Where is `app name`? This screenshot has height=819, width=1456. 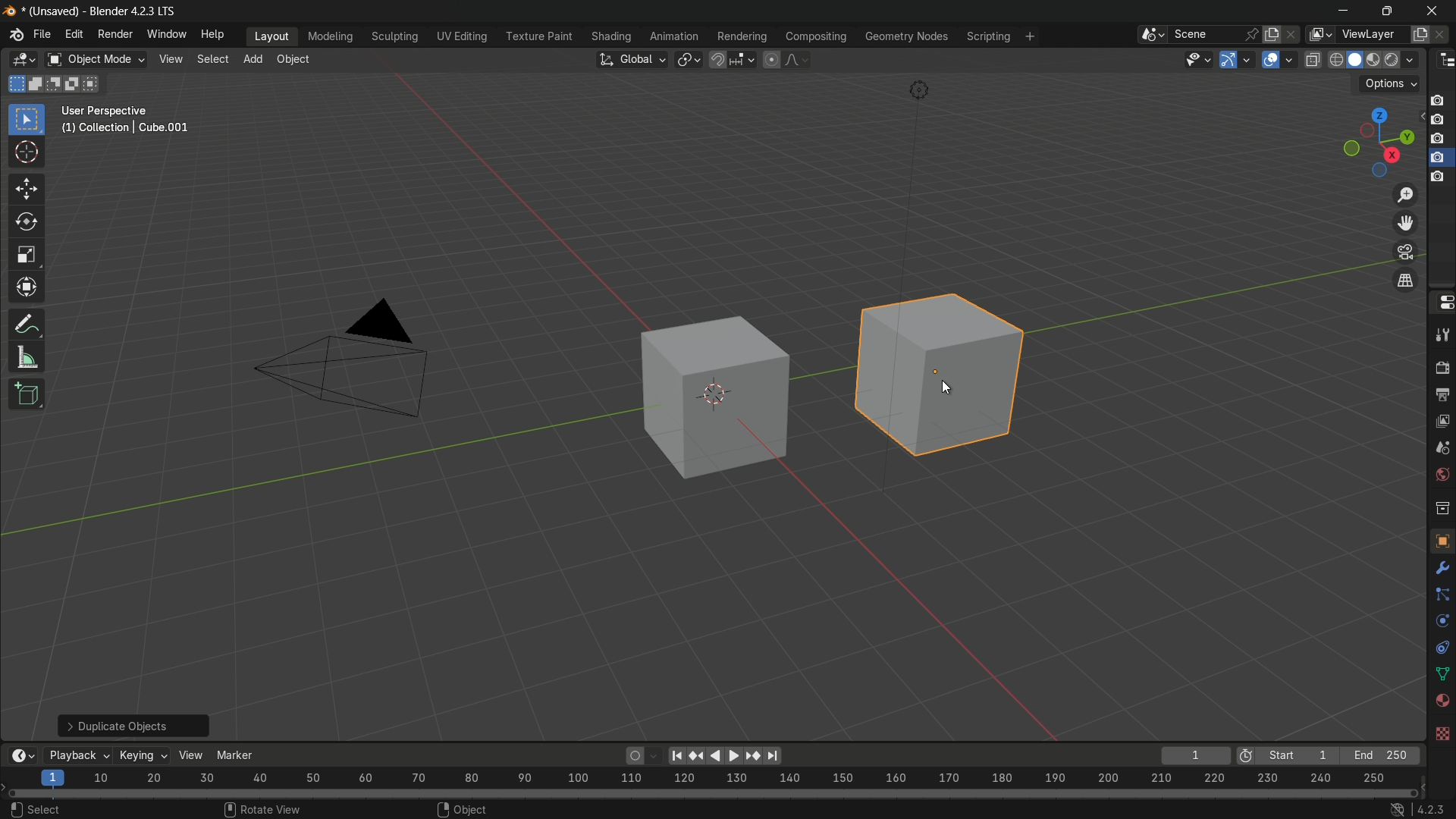 app name is located at coordinates (133, 14).